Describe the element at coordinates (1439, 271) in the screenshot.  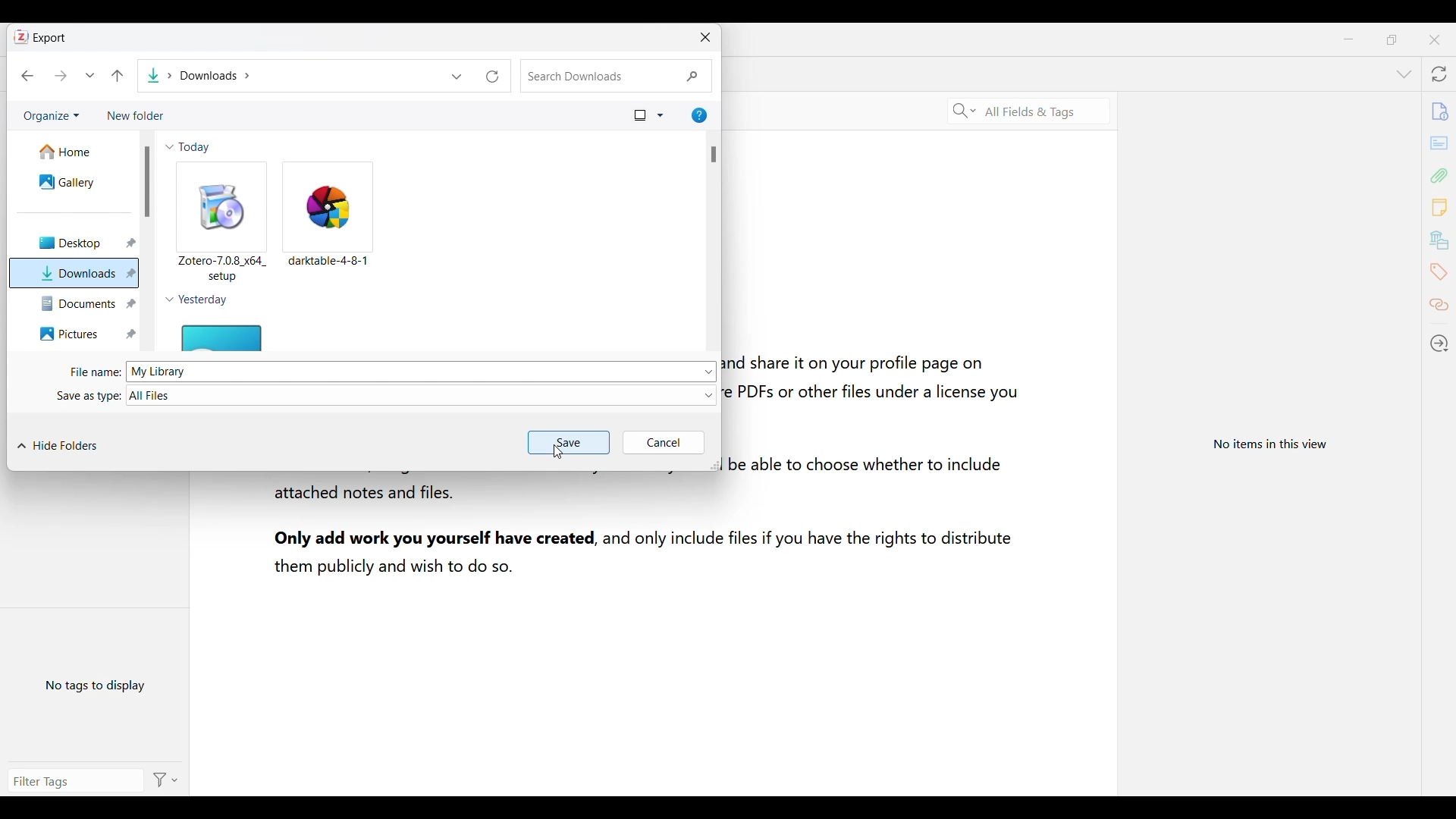
I see `Tags` at that location.